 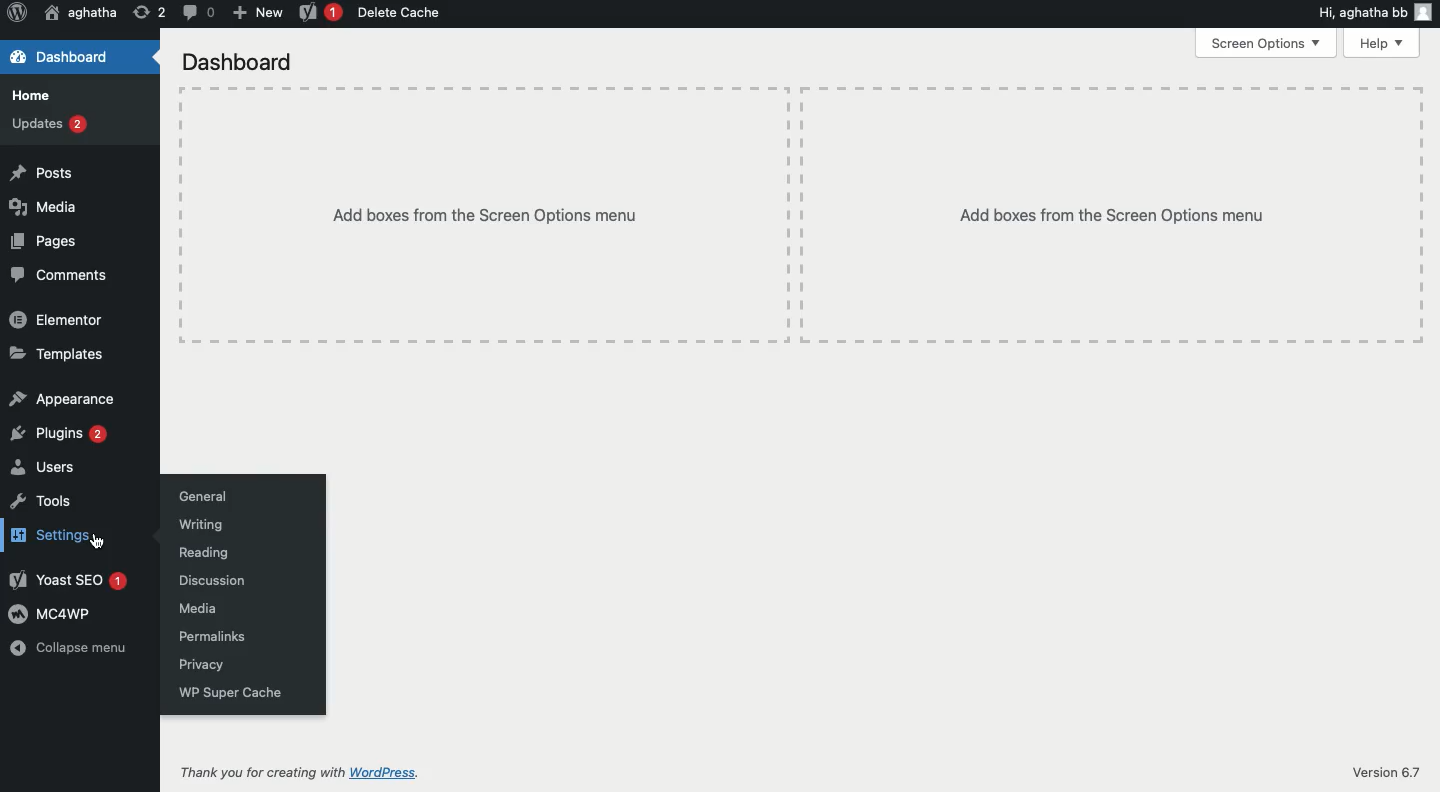 What do you see at coordinates (1383, 43) in the screenshot?
I see `Help` at bounding box center [1383, 43].